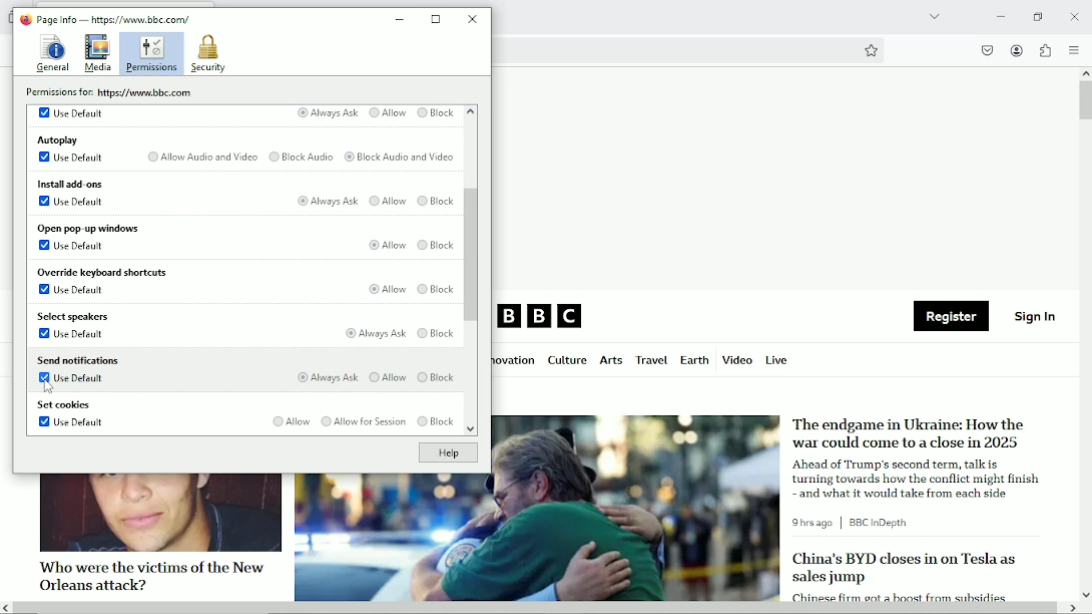 Image resolution: width=1092 pixels, height=614 pixels. Describe the element at coordinates (610, 362) in the screenshot. I see `Arts` at that location.